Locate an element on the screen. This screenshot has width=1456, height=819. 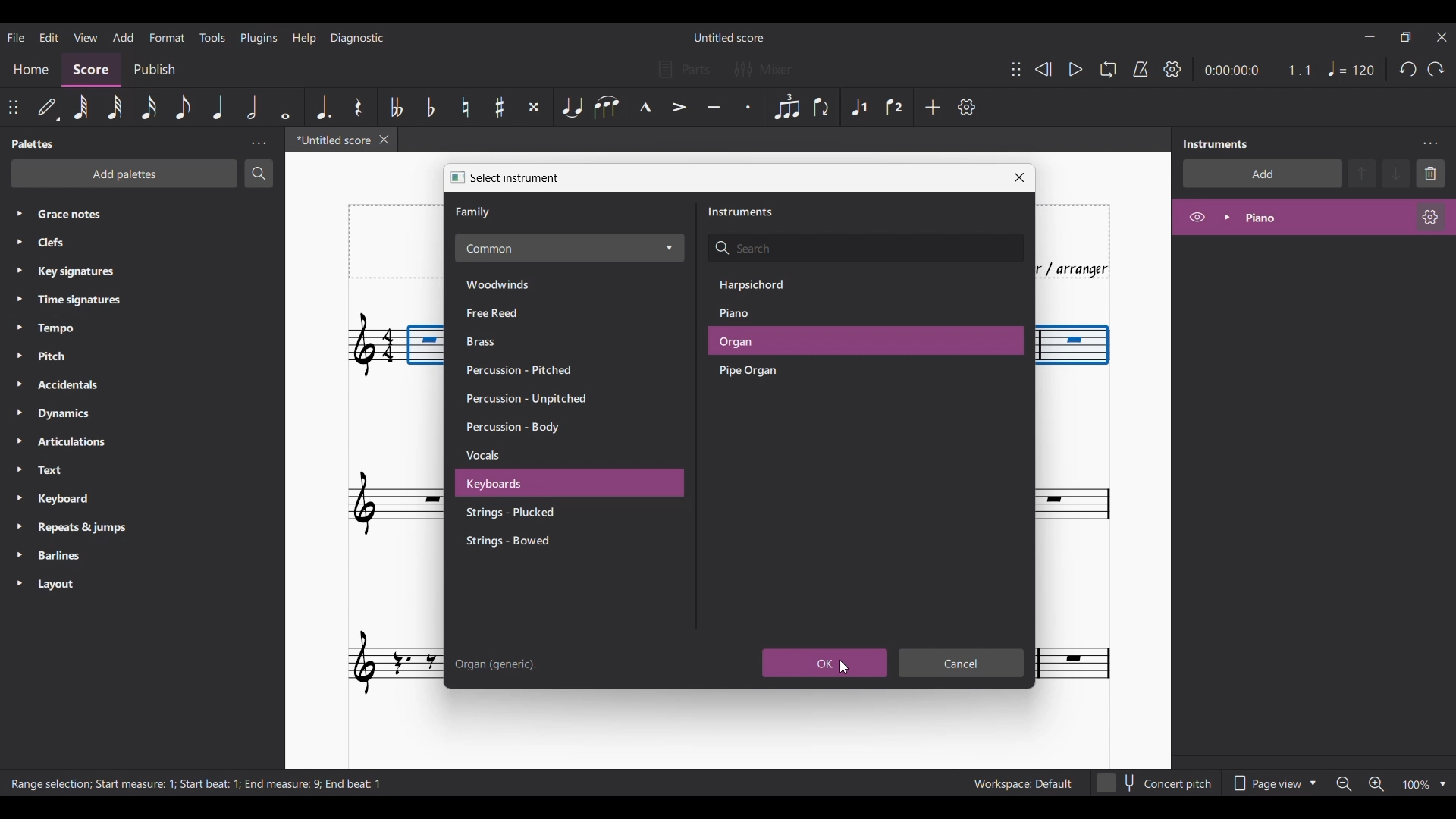
Minimize is located at coordinates (1369, 36).